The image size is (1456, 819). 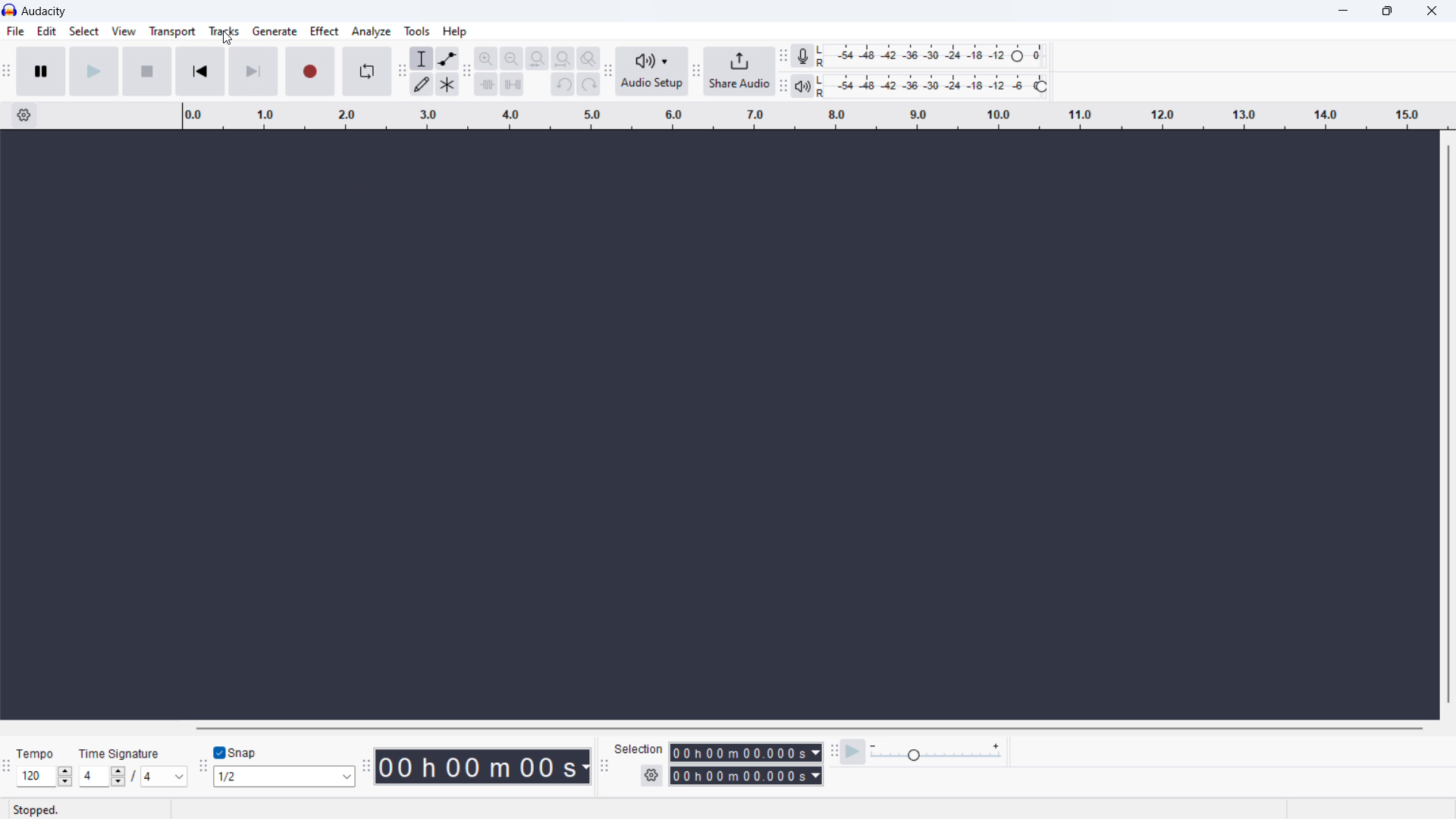 I want to click on view, so click(x=123, y=30).